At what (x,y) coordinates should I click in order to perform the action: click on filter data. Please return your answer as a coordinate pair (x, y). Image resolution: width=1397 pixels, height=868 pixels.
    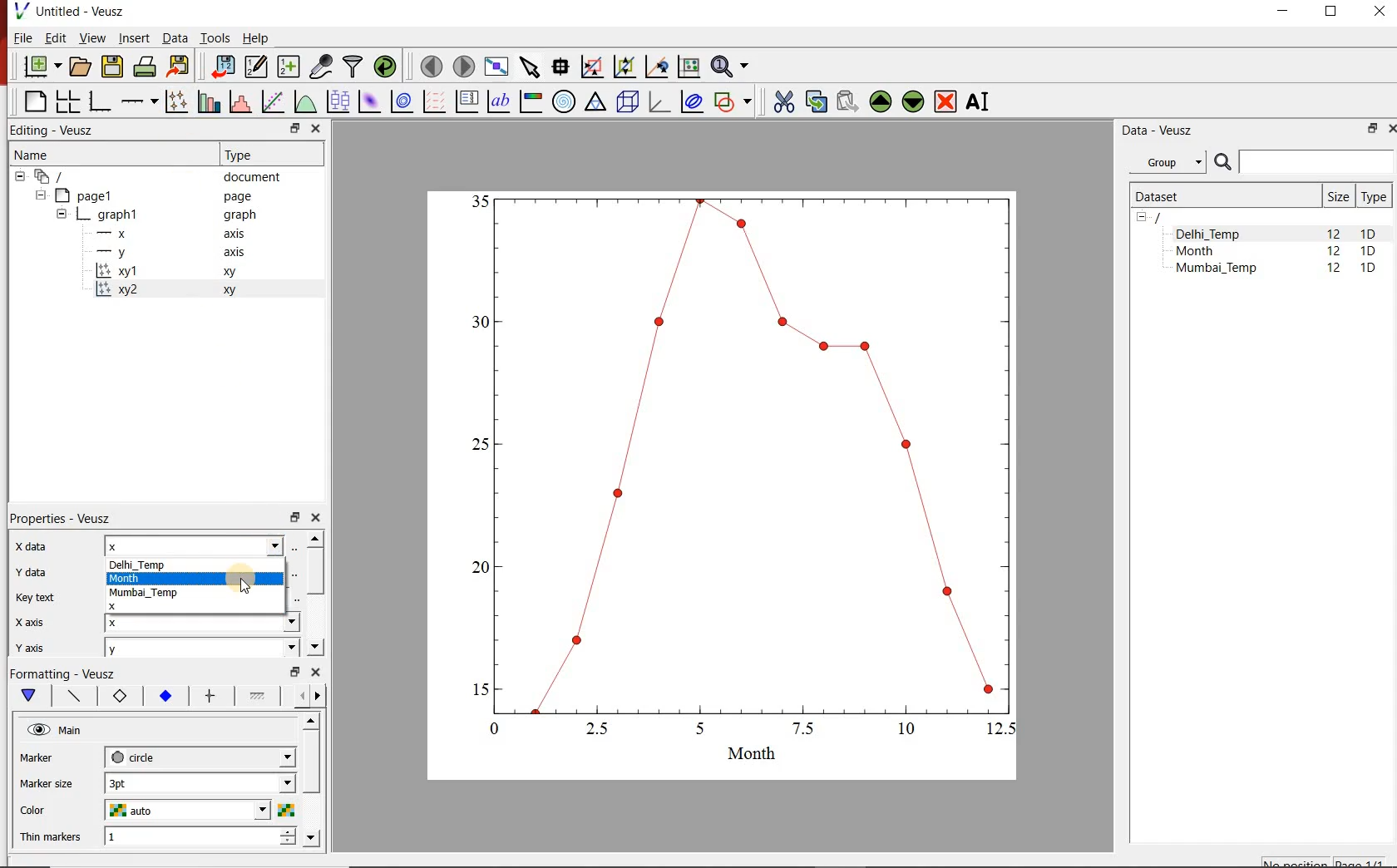
    Looking at the image, I should click on (353, 67).